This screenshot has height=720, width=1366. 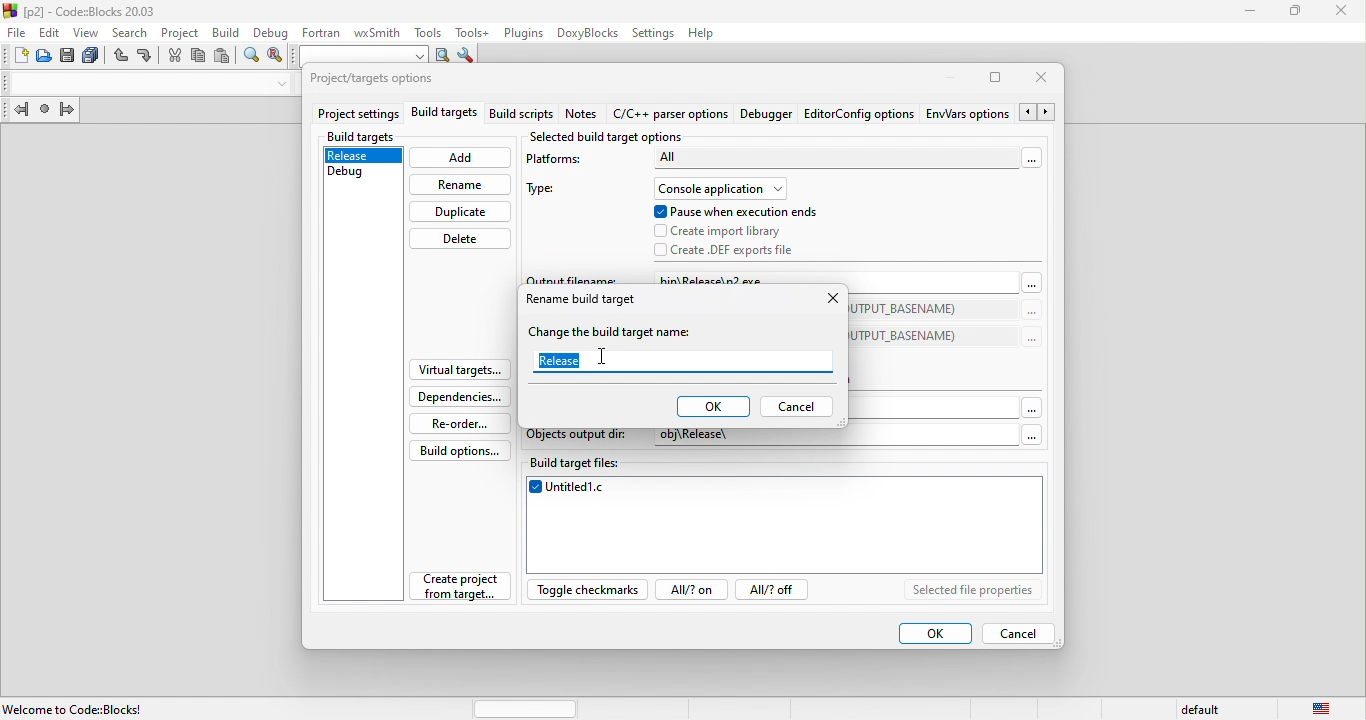 I want to click on notes, so click(x=585, y=115).